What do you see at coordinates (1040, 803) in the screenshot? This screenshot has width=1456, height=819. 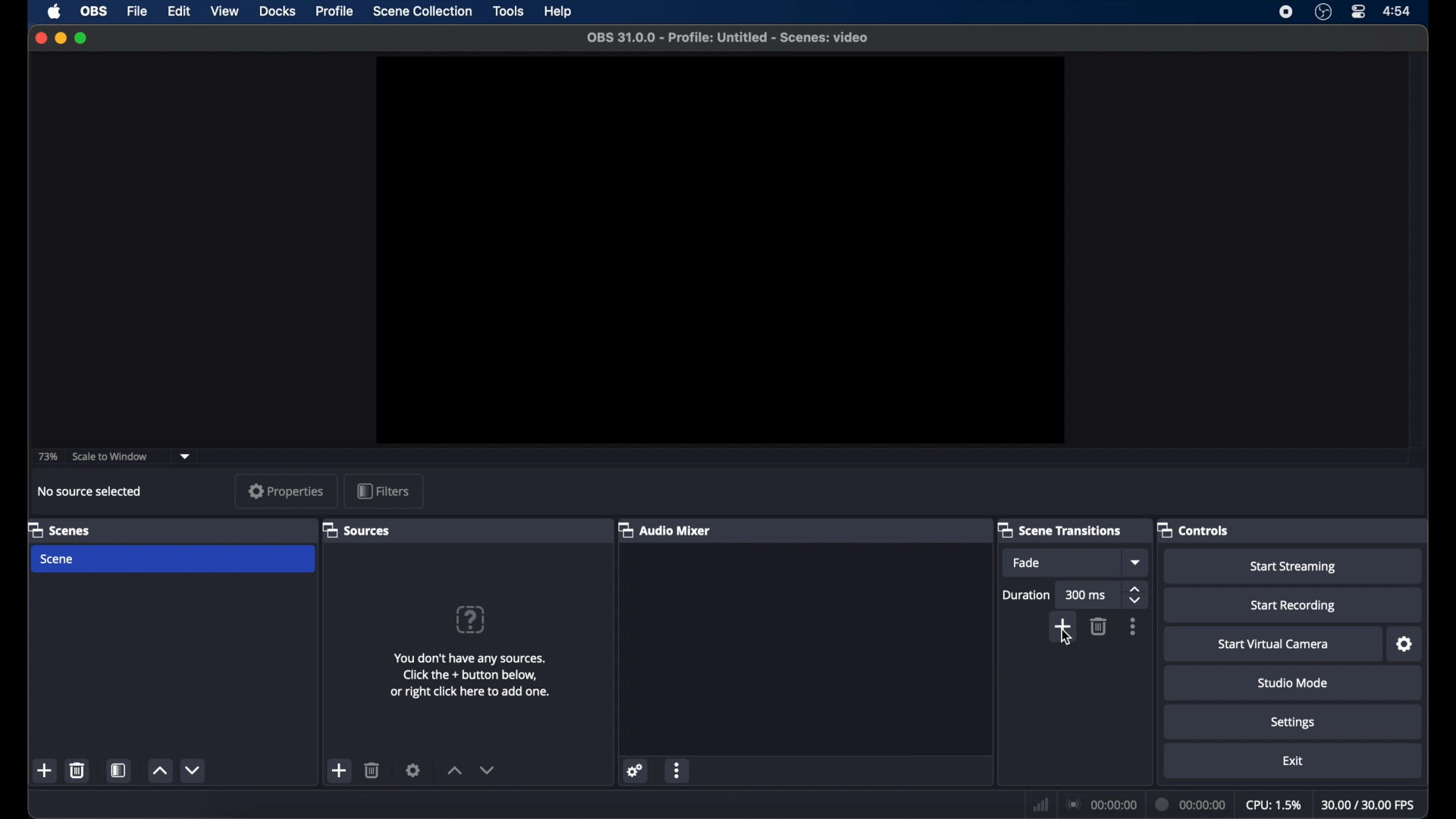 I see `network` at bounding box center [1040, 803].